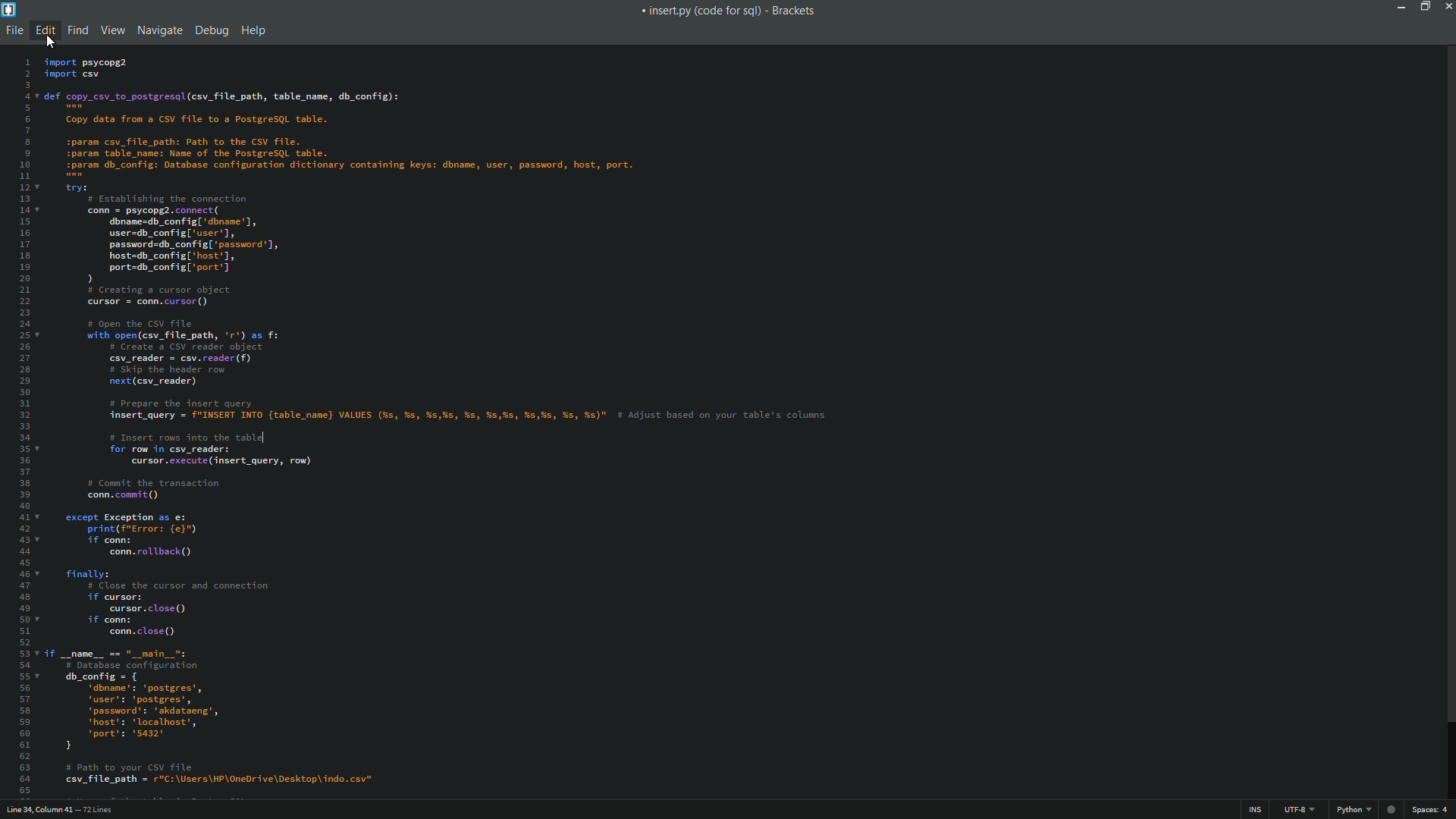  I want to click on edit menu, so click(45, 30).